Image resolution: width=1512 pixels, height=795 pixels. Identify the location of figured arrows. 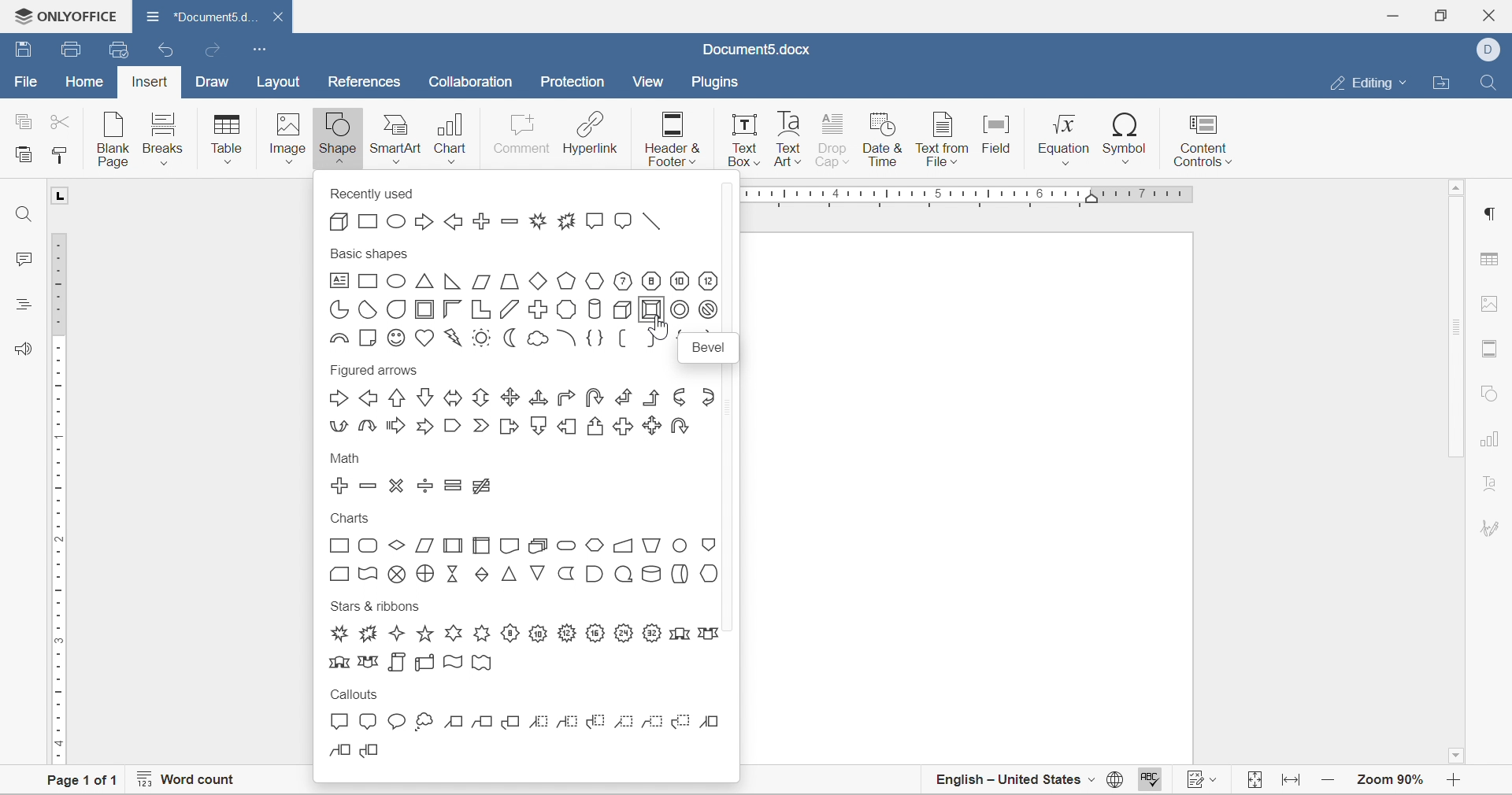
(519, 402).